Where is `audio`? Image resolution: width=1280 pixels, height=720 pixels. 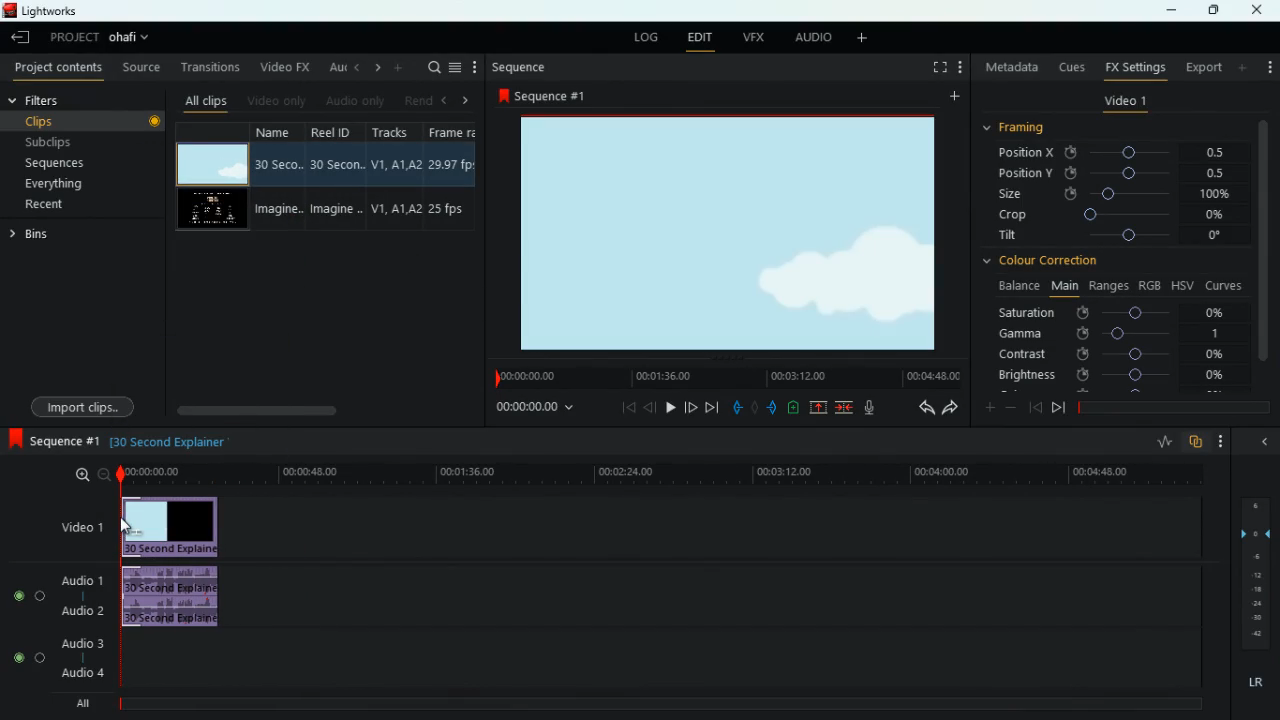 audio is located at coordinates (176, 598).